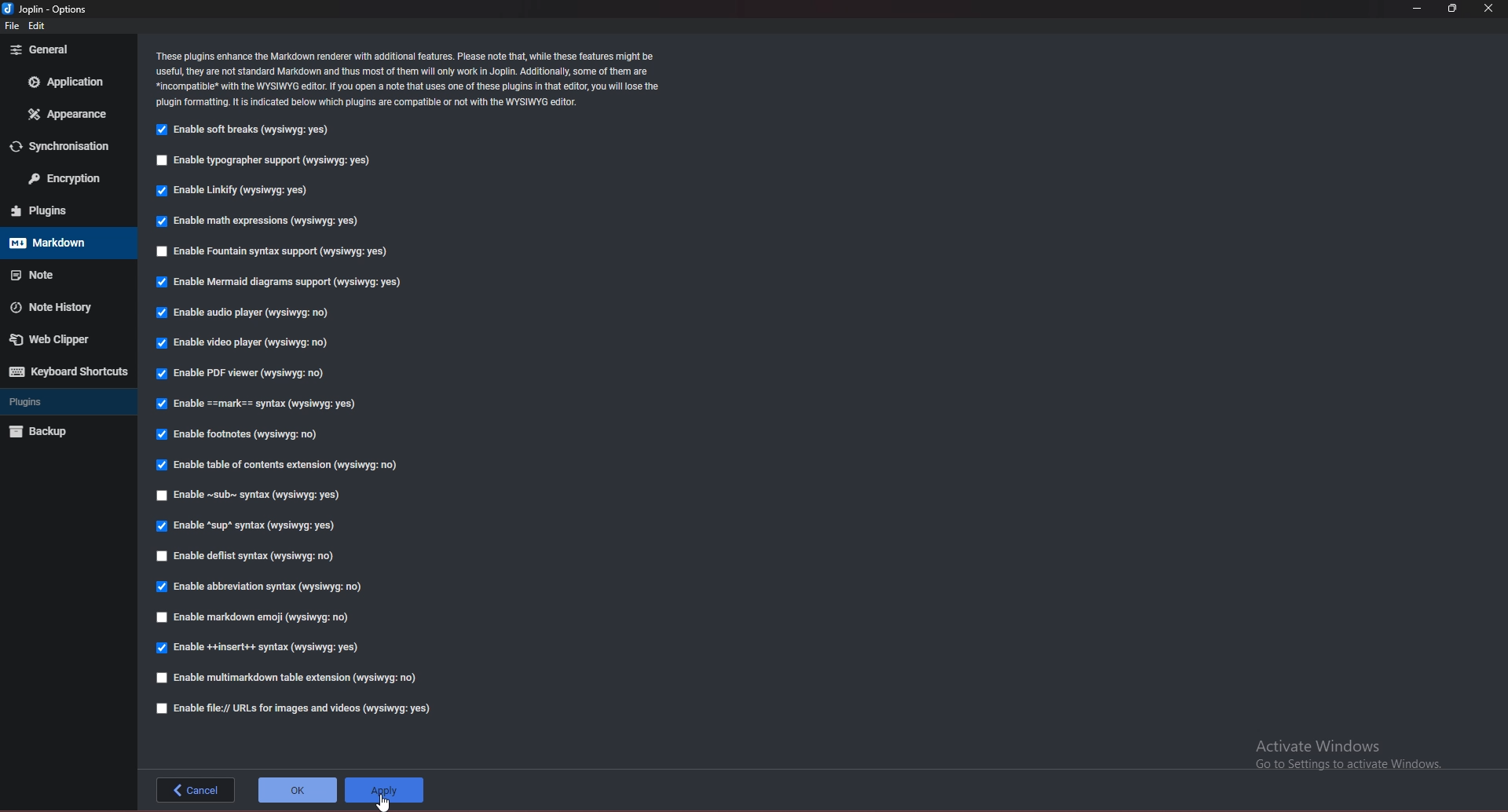  Describe the element at coordinates (251, 494) in the screenshot. I see `enable sub syntax` at that location.